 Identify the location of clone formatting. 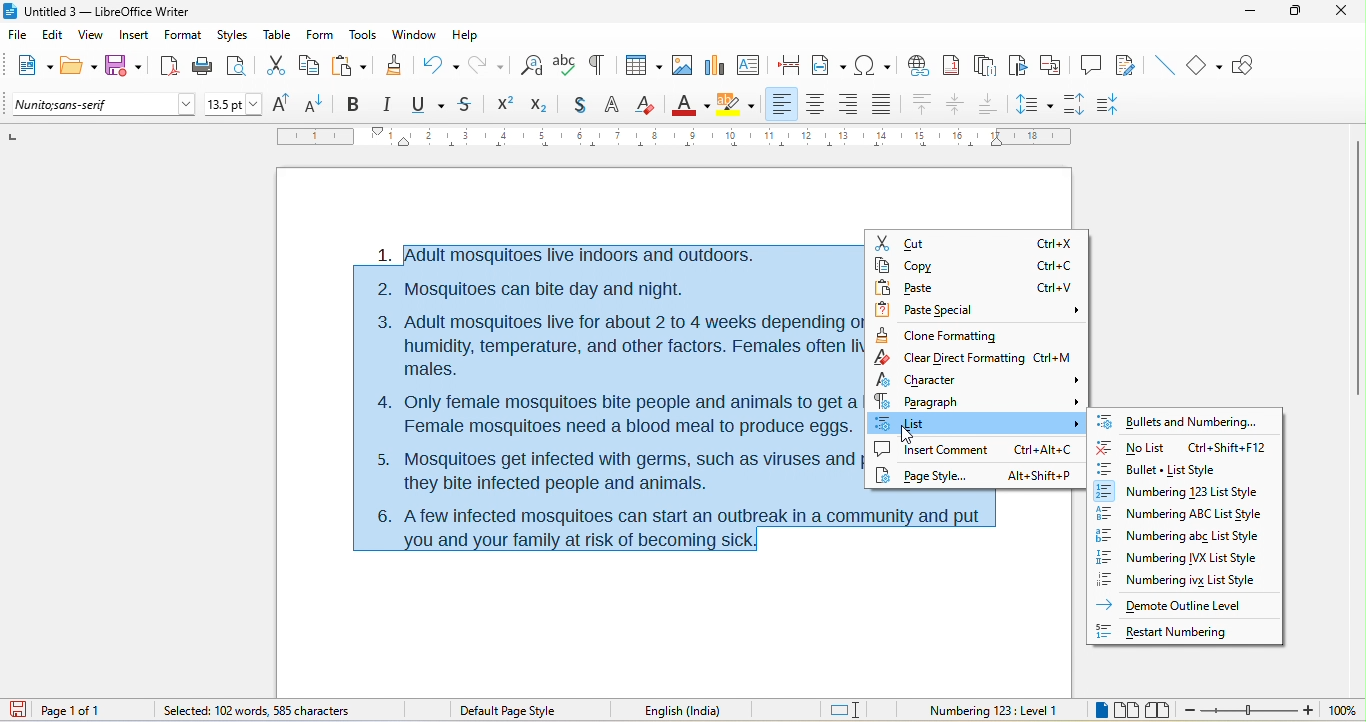
(939, 334).